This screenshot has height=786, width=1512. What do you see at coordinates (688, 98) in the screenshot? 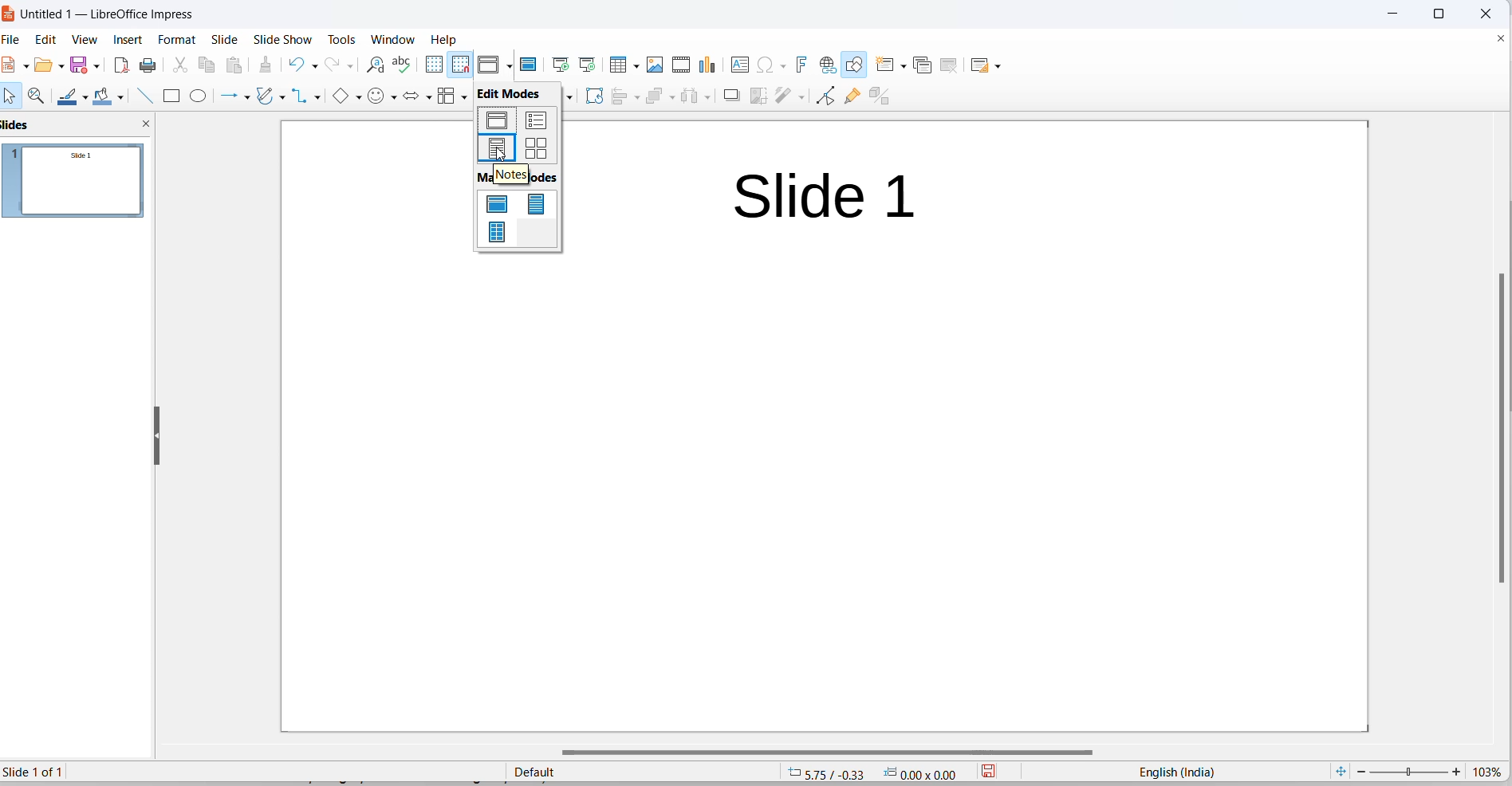
I see `distribute object` at bounding box center [688, 98].